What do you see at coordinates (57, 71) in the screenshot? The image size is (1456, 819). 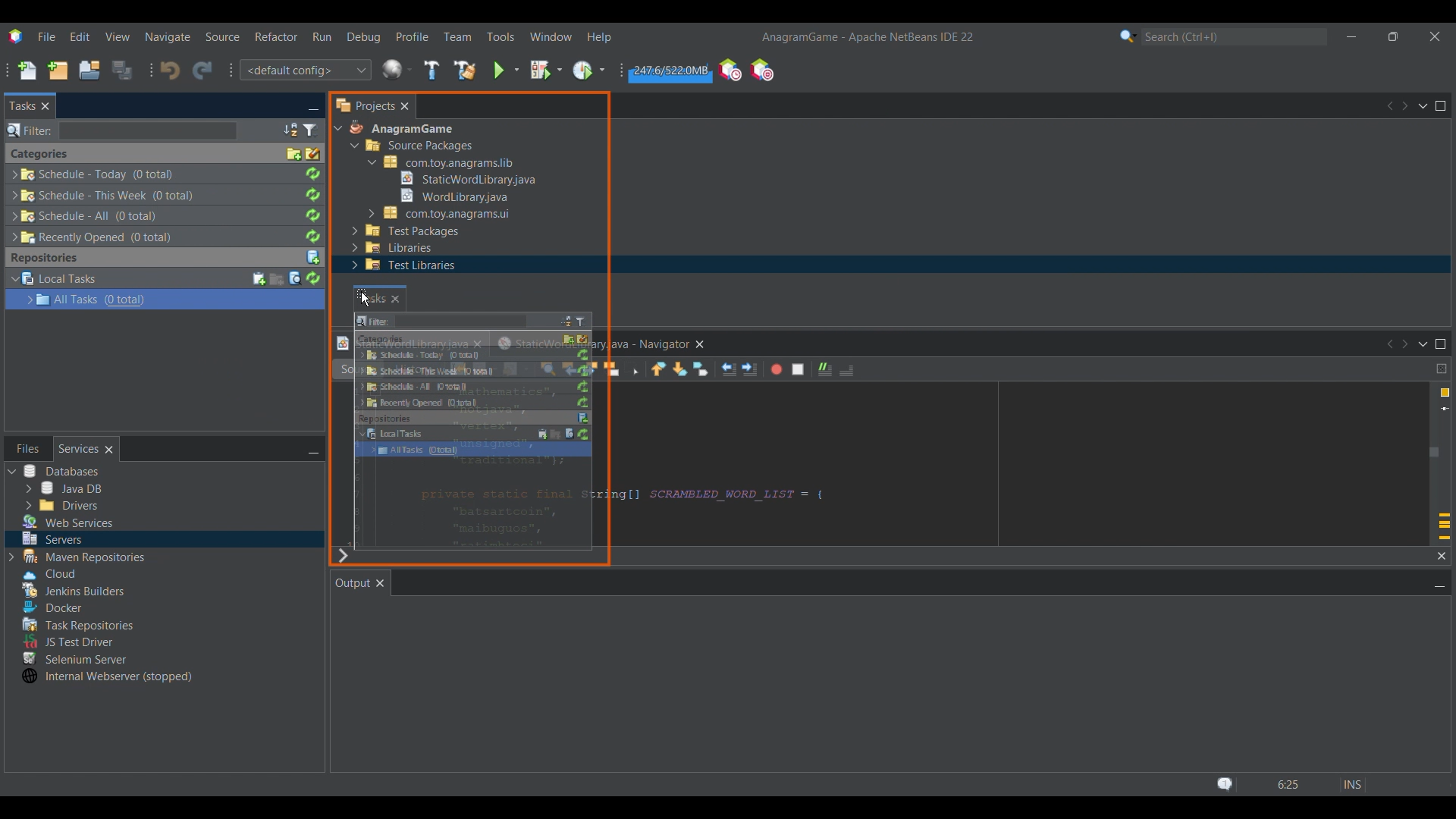 I see `New project` at bounding box center [57, 71].